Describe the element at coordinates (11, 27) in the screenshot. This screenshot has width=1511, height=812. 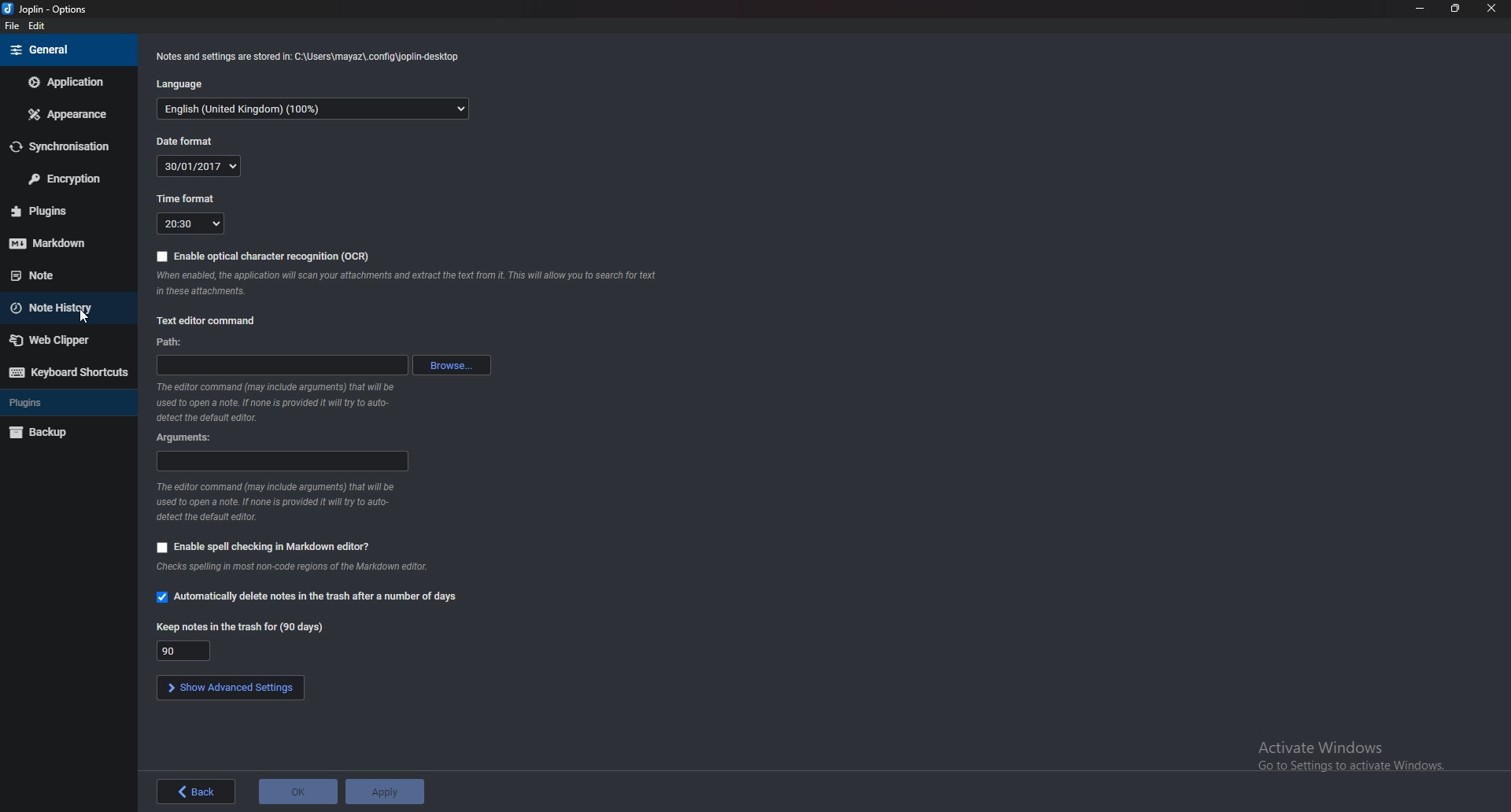
I see `file` at that location.